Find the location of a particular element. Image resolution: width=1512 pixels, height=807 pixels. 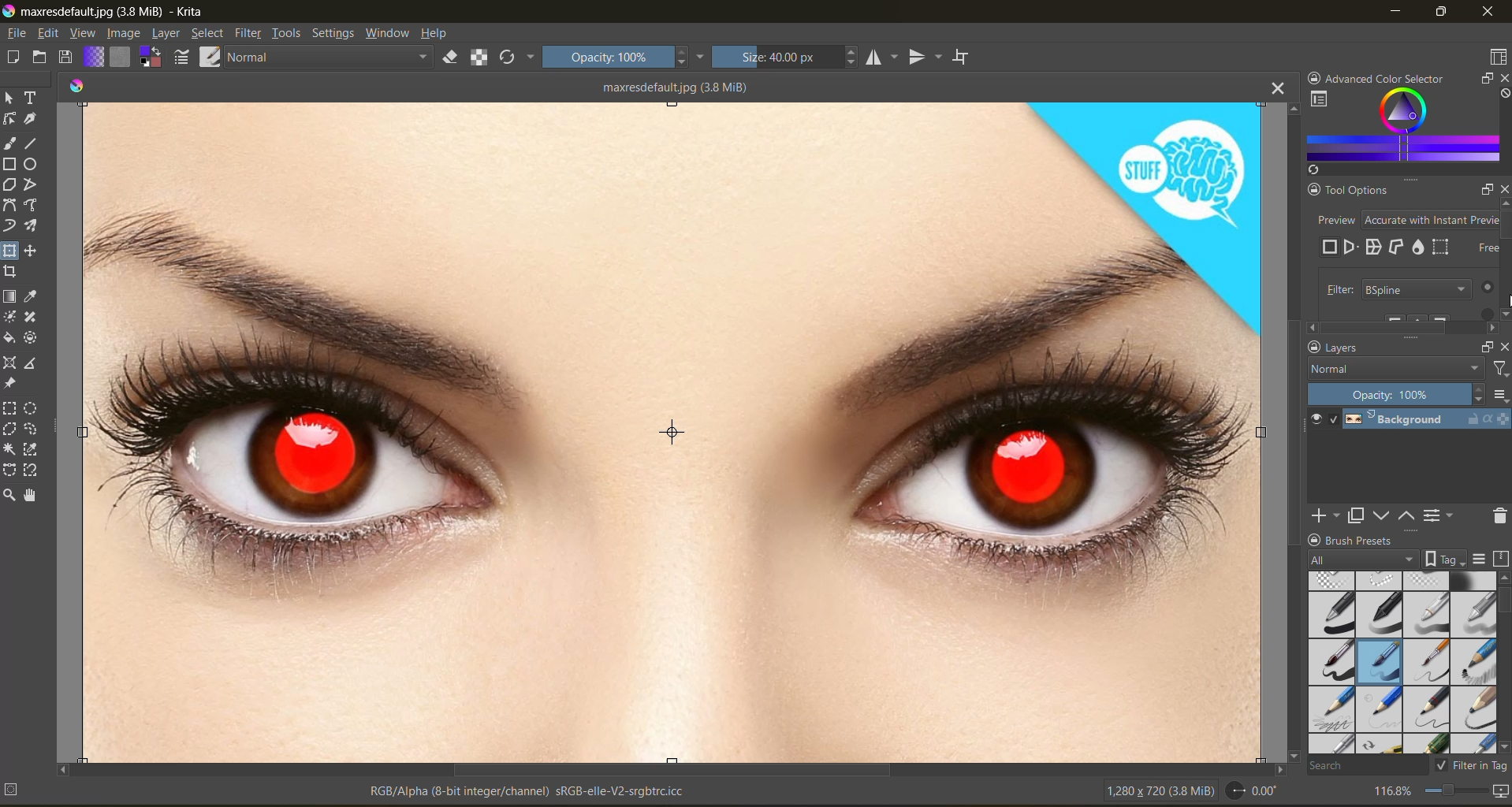

tool is located at coordinates (32, 363).